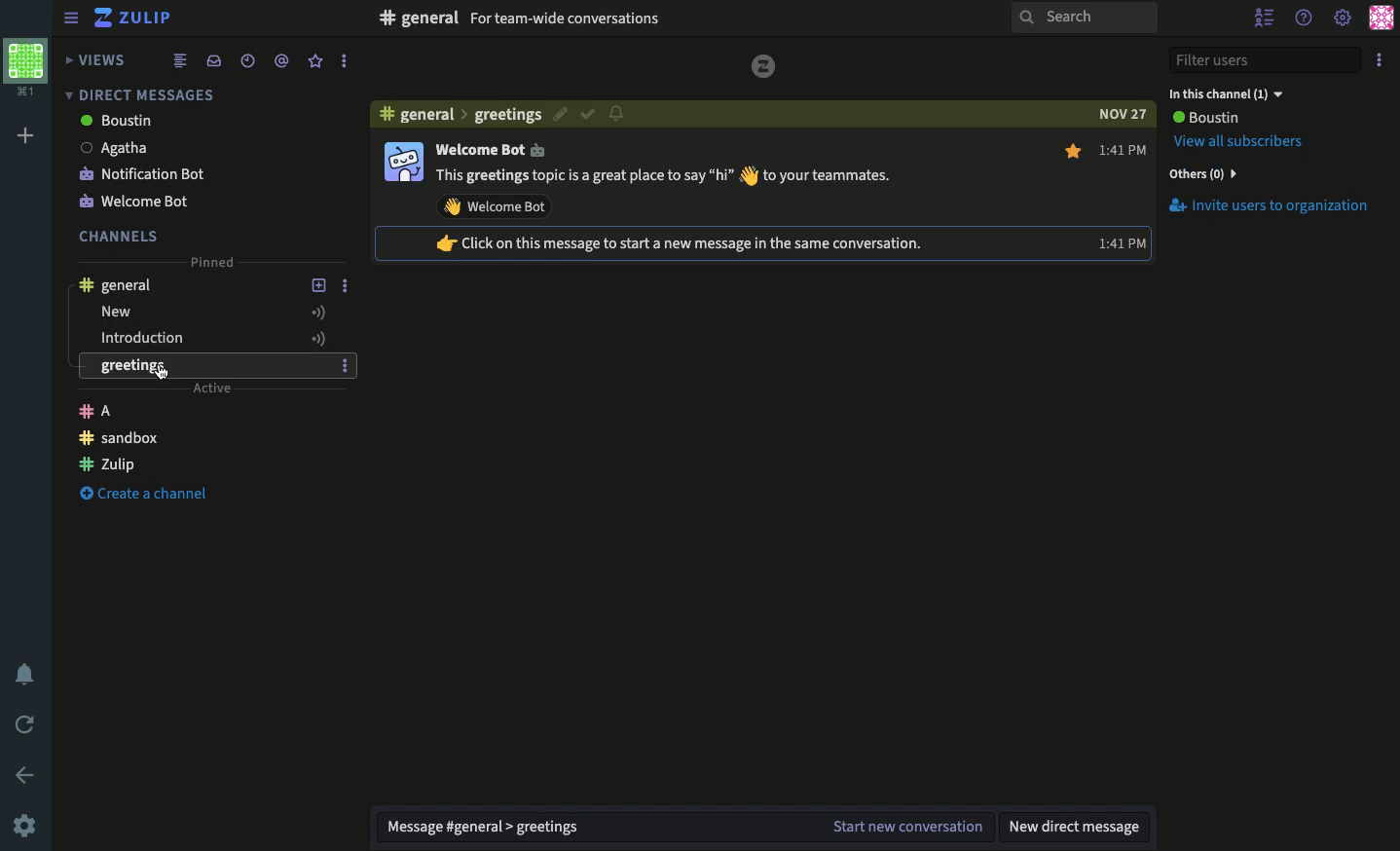 The height and width of the screenshot is (851, 1400). Describe the element at coordinates (420, 17) in the screenshot. I see `#general` at that location.